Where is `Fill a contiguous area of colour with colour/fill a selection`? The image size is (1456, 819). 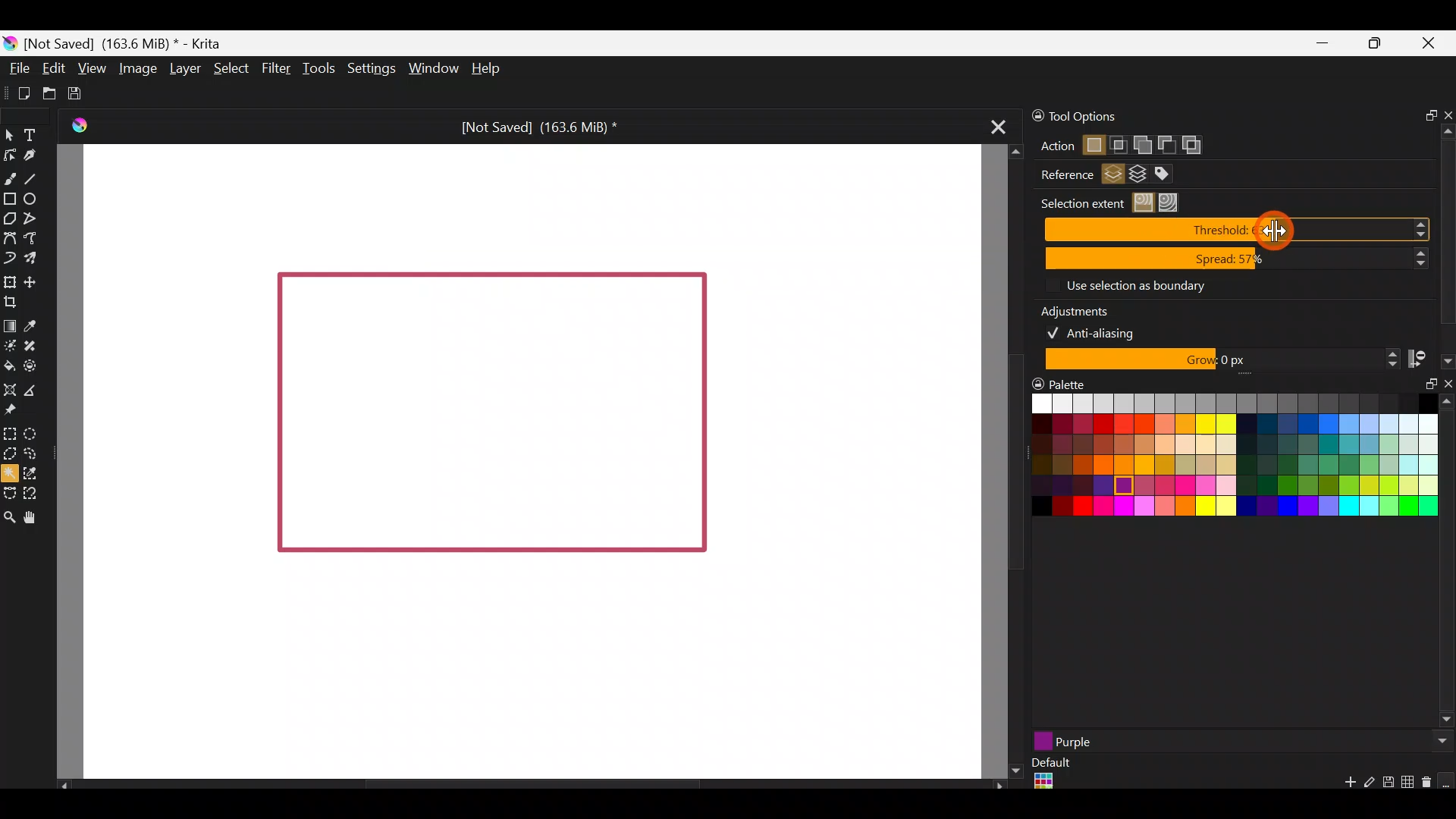 Fill a contiguous area of colour with colour/fill a selection is located at coordinates (9, 365).